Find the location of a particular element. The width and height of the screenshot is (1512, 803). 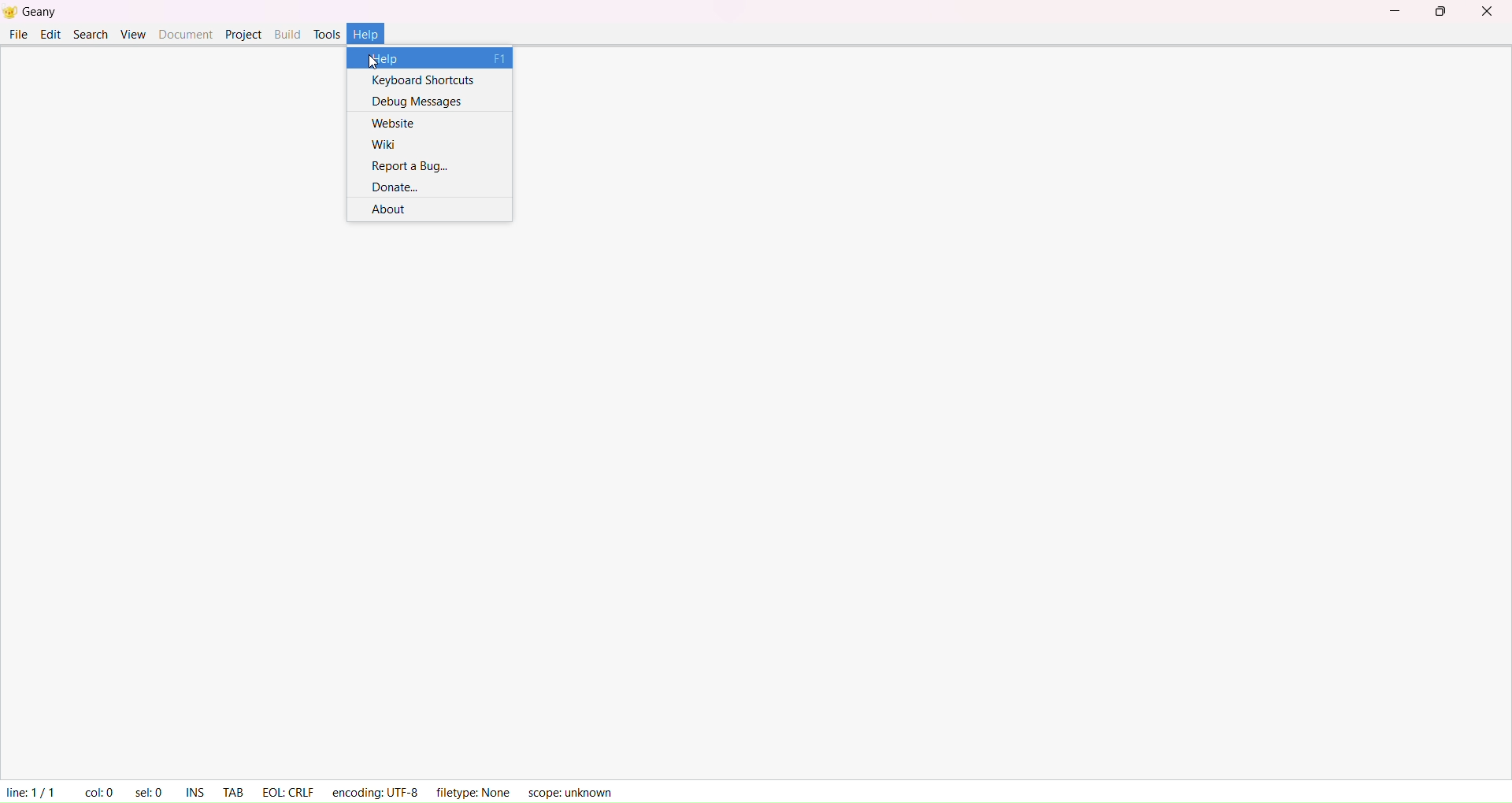

Help is located at coordinates (376, 30).